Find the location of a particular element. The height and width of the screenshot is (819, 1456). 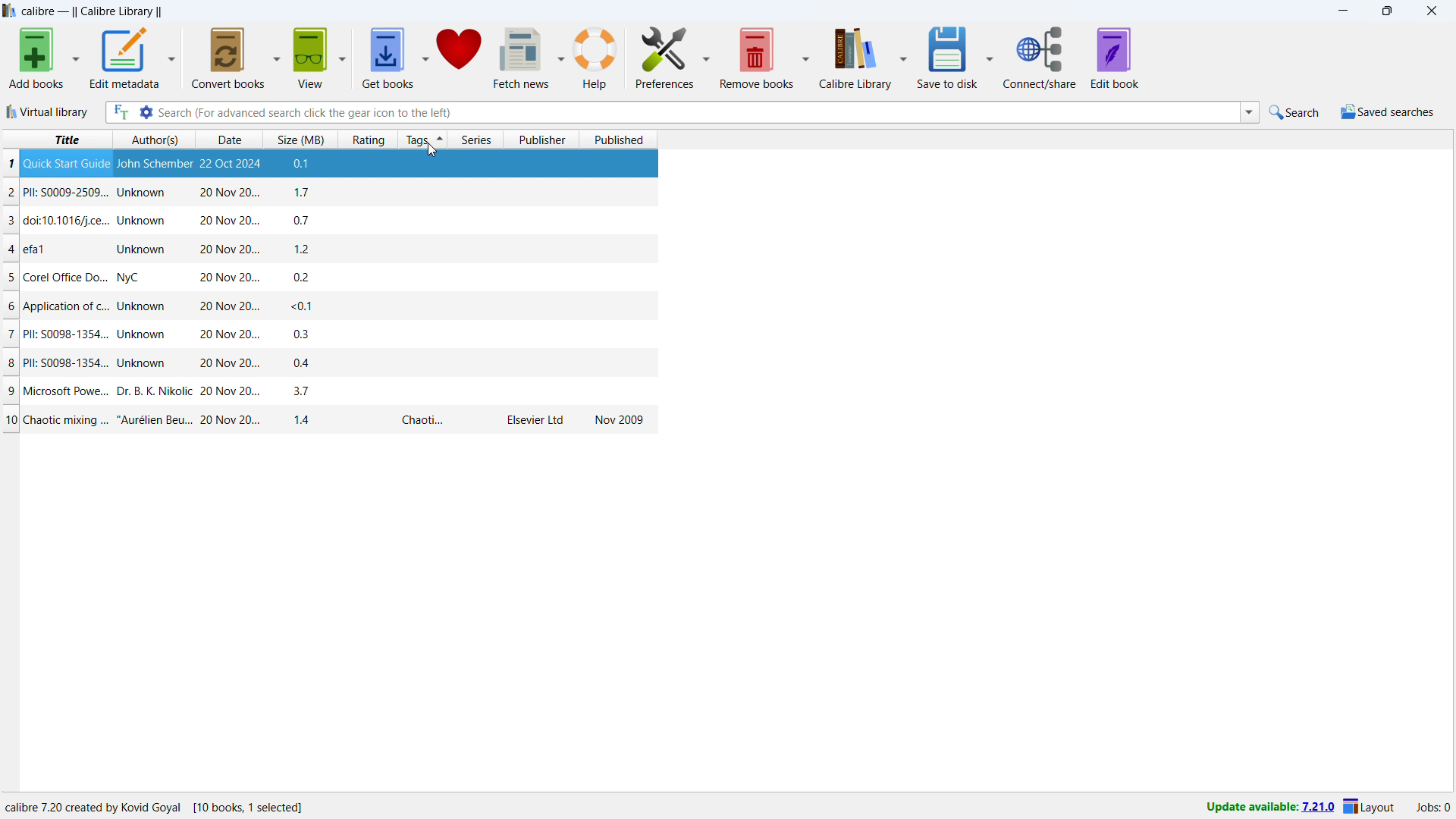

active jobs is located at coordinates (1433, 808).